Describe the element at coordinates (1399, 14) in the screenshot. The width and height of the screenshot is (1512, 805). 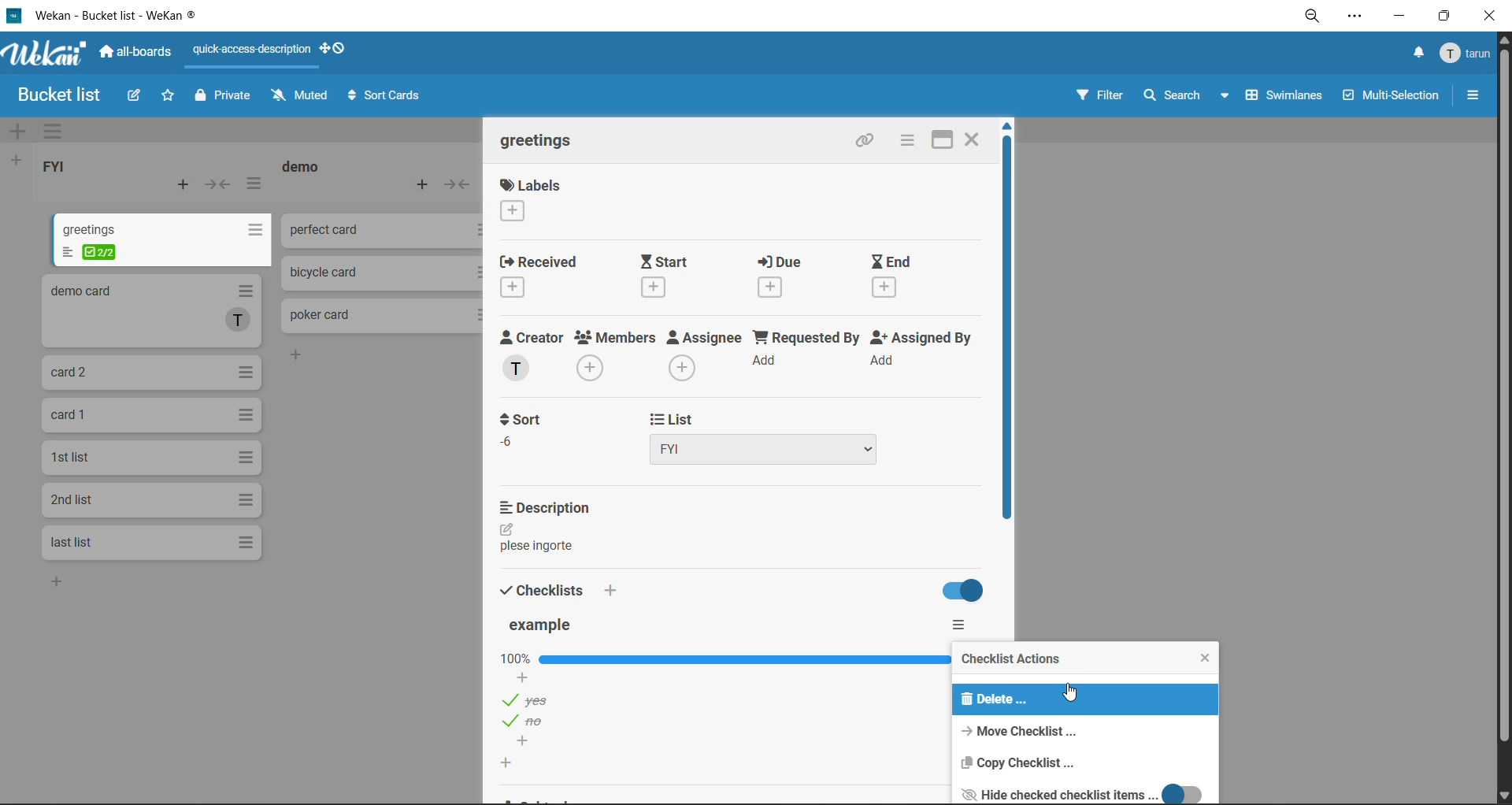
I see `minimize` at that location.